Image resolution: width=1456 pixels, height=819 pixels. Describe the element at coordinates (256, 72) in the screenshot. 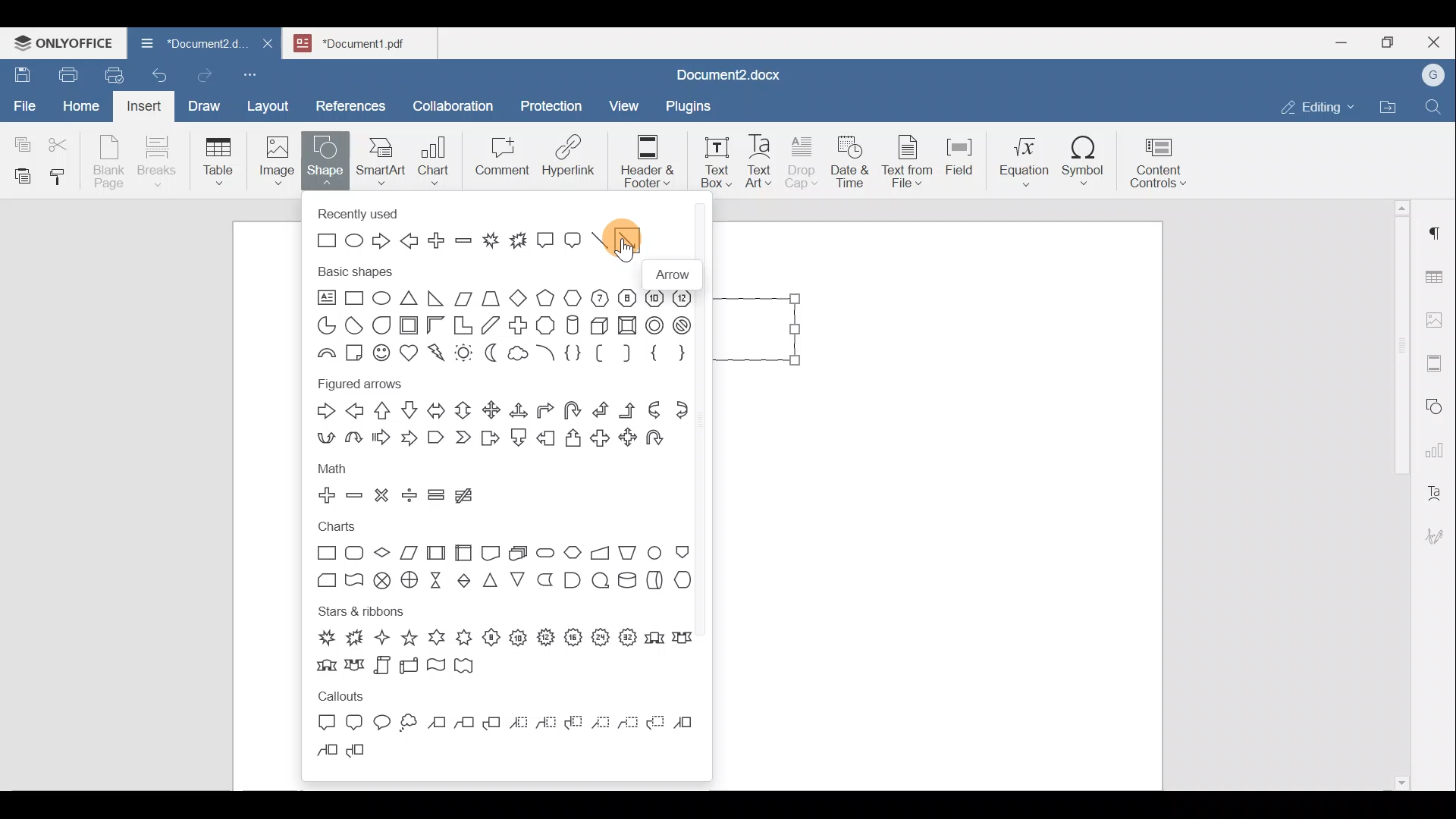

I see `Customize quick access toolbar` at that location.